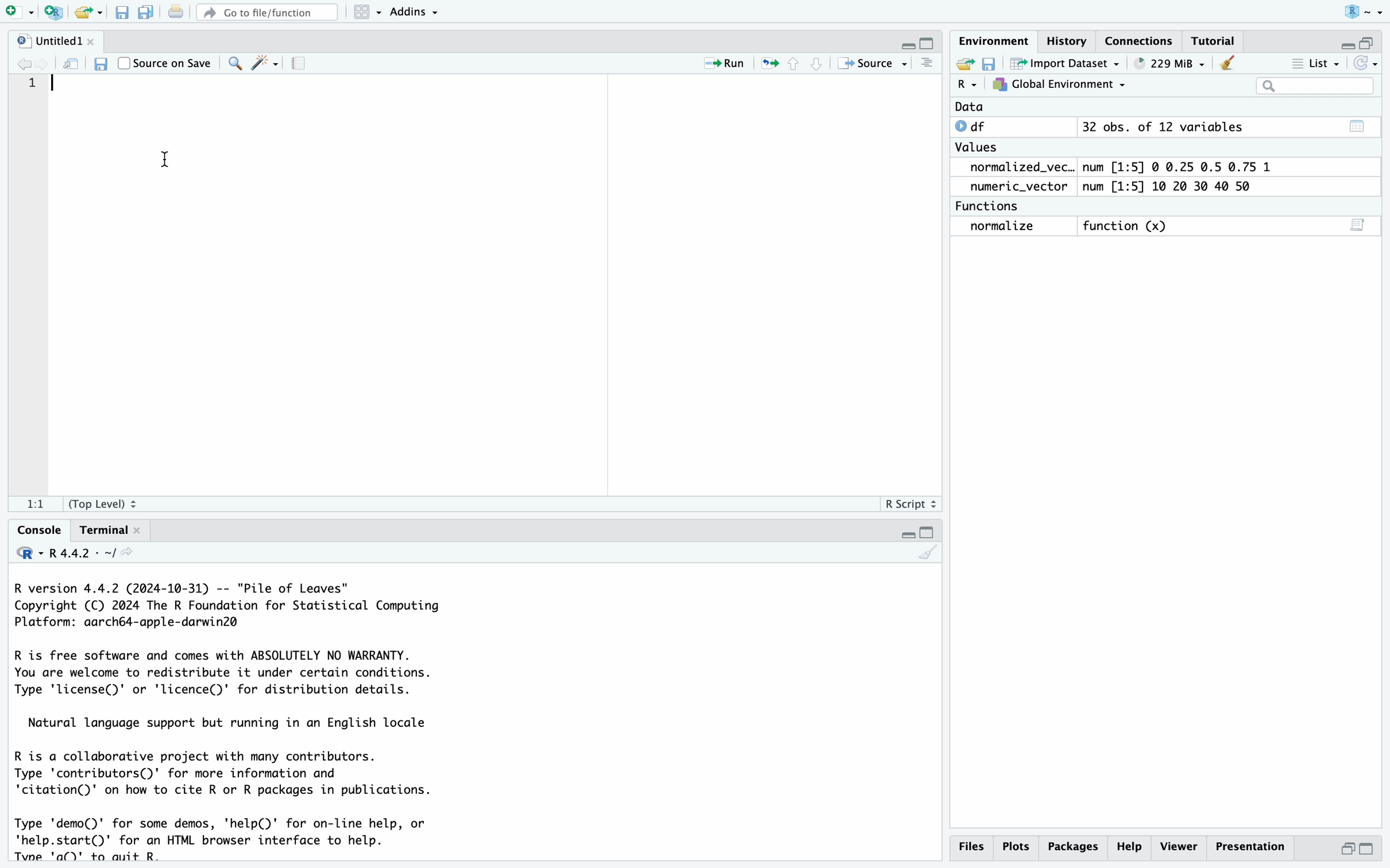 This screenshot has height=868, width=1390. I want to click on open file, so click(85, 14).